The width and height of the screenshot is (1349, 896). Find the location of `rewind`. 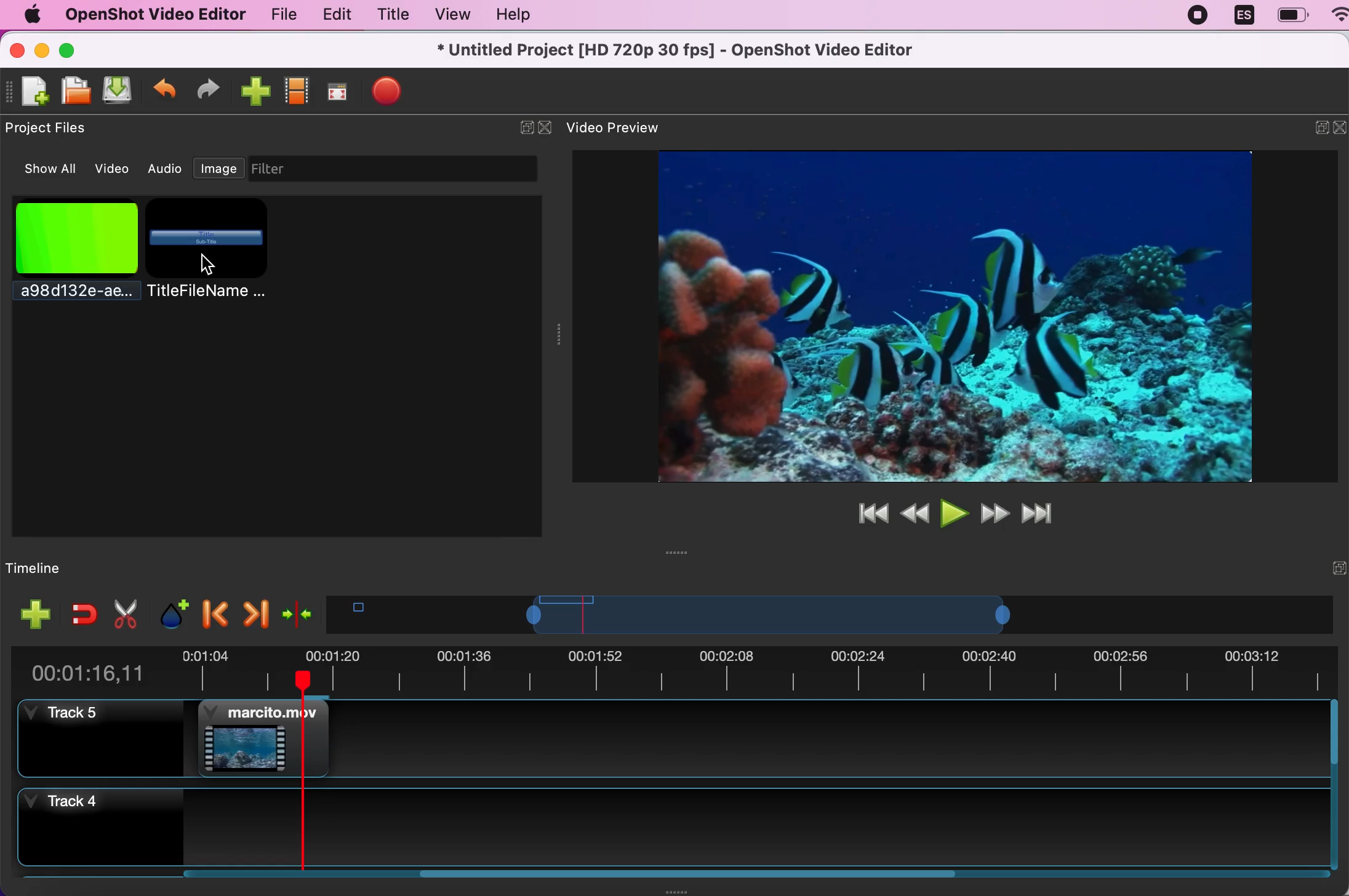

rewind is located at coordinates (915, 511).